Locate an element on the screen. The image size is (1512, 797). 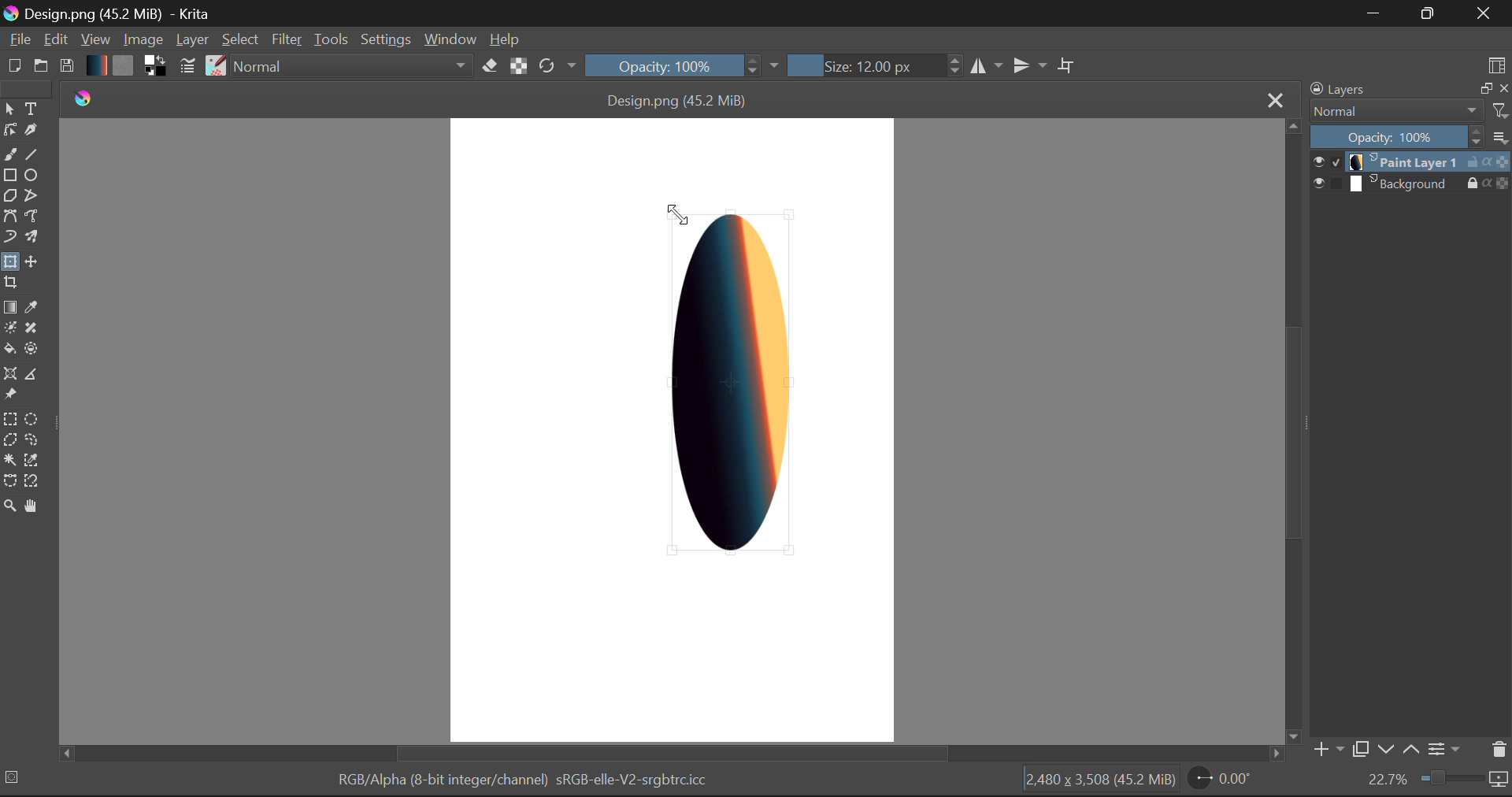
Crop is located at coordinates (10, 285).